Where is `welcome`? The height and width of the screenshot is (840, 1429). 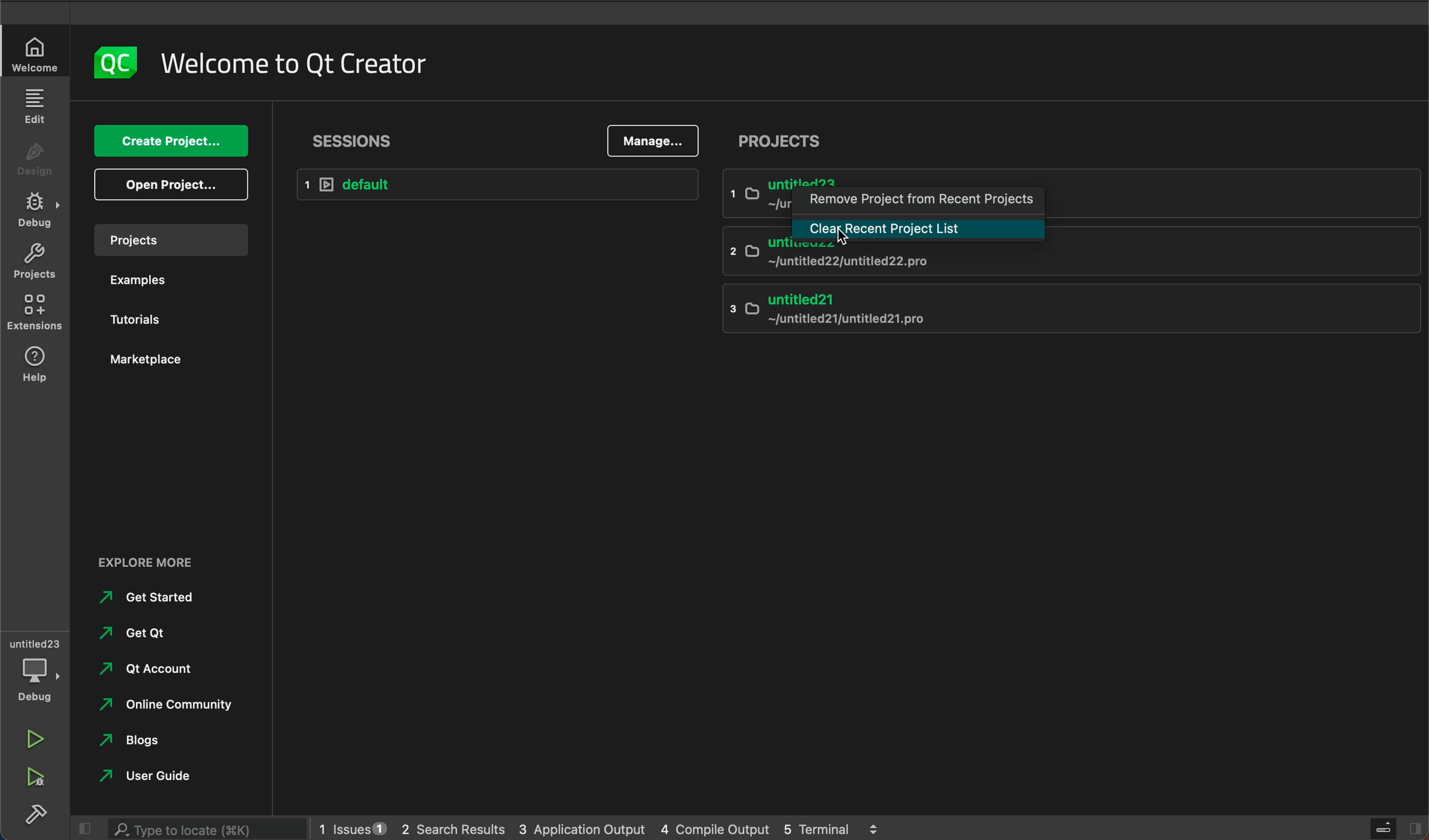 welcome is located at coordinates (36, 55).